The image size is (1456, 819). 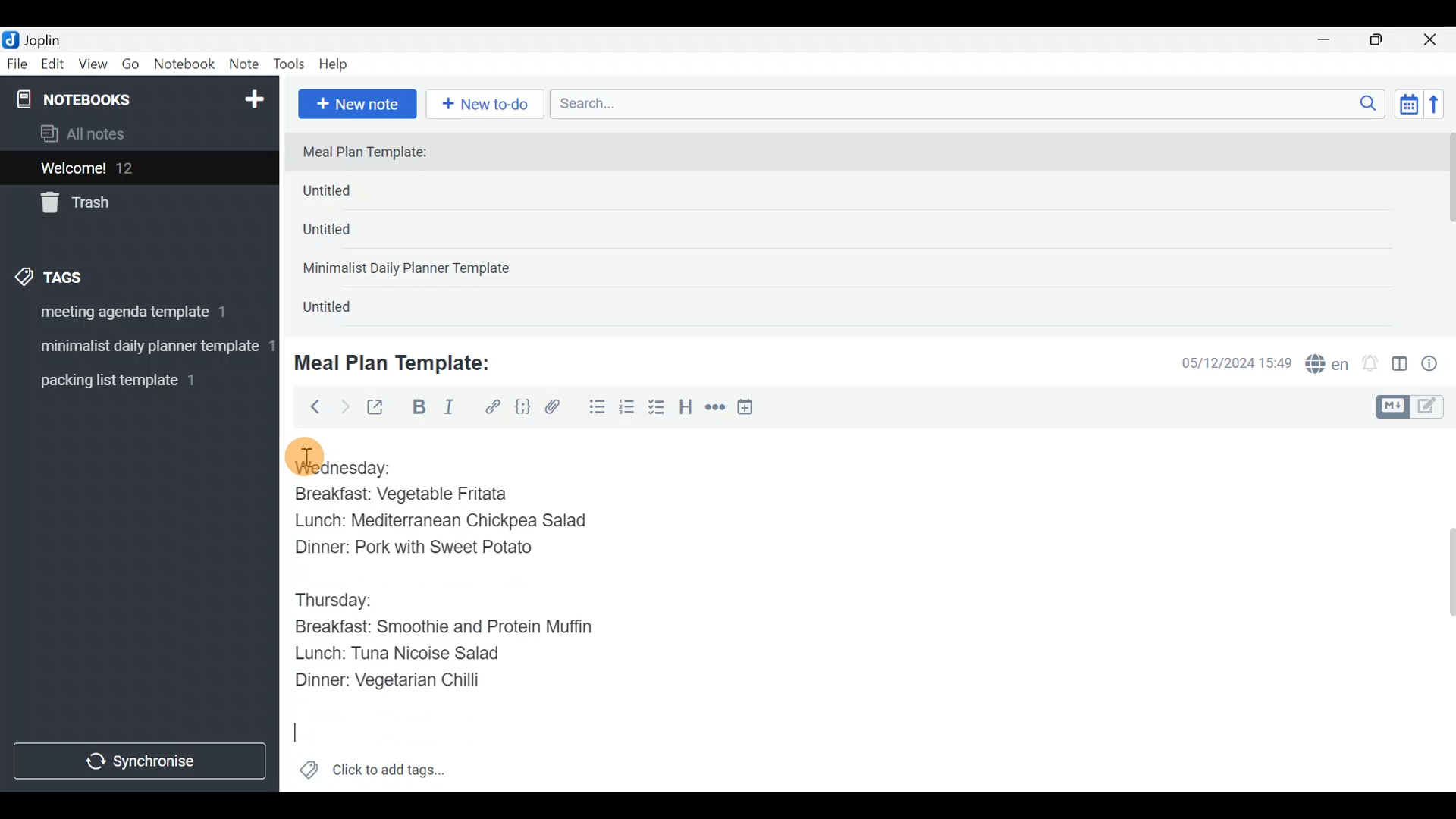 I want to click on Reverse sort, so click(x=1442, y=108).